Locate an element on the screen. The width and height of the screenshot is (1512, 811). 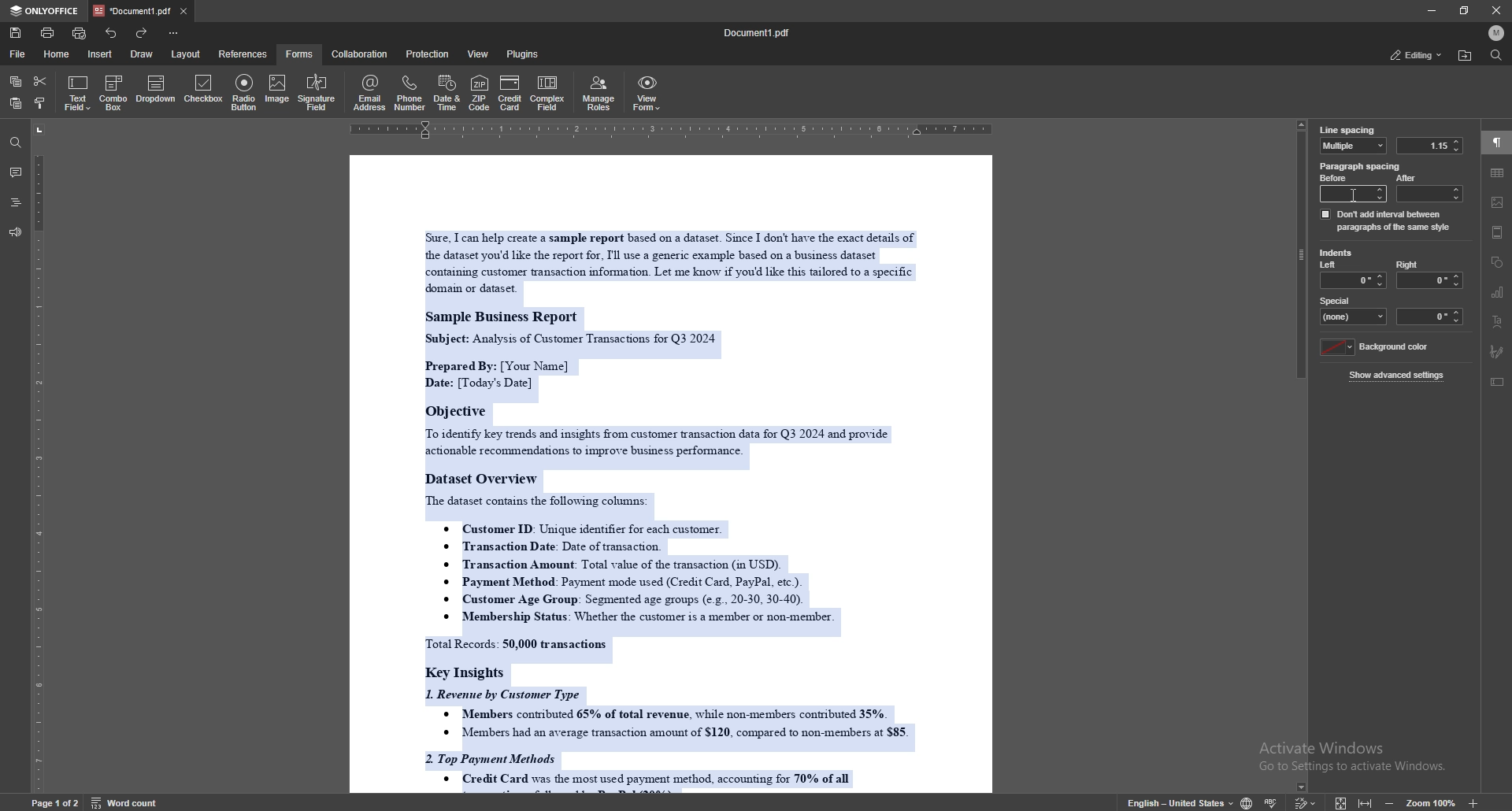
view is located at coordinates (480, 54).